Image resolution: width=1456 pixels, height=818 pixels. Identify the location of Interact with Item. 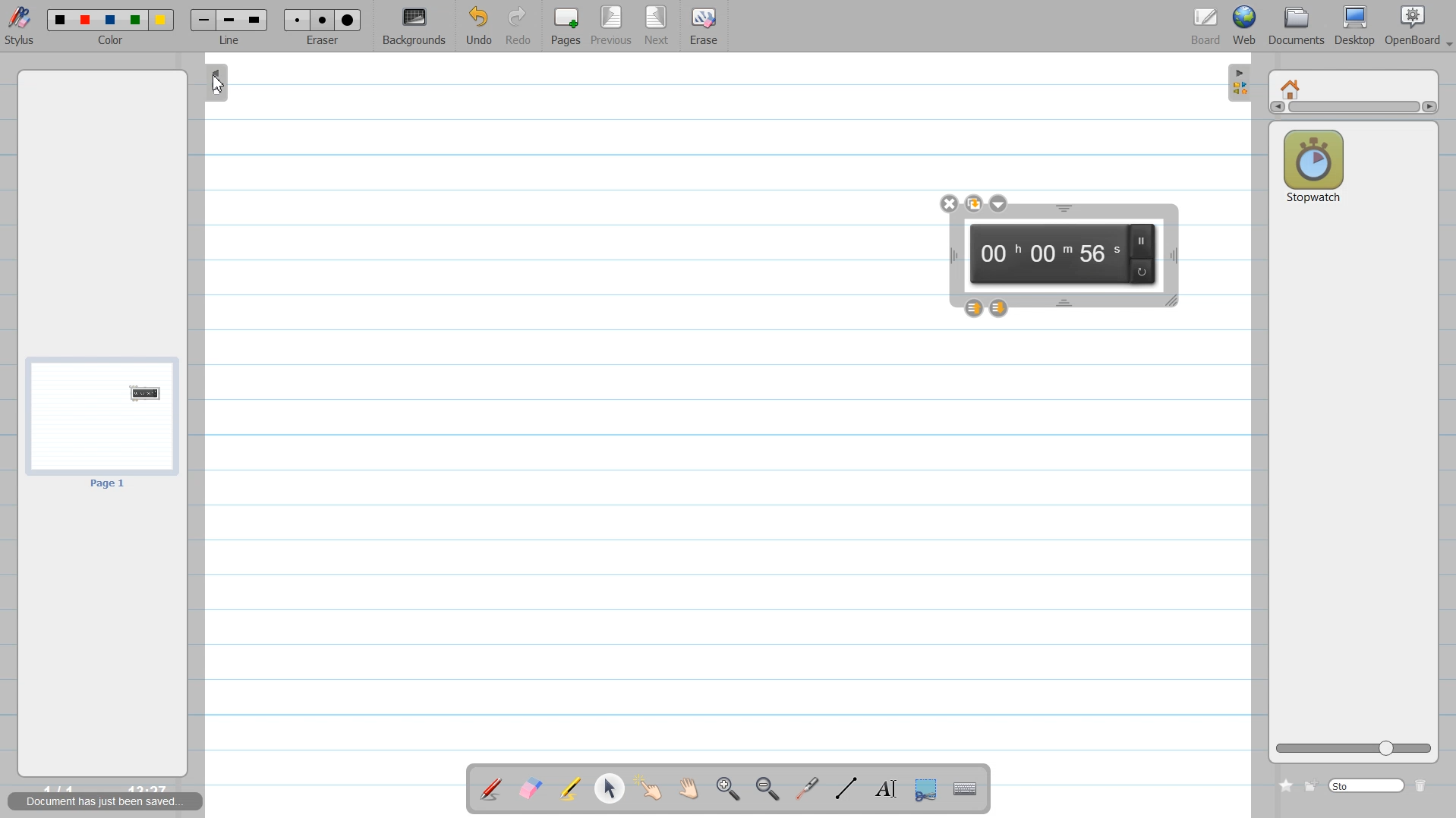
(652, 788).